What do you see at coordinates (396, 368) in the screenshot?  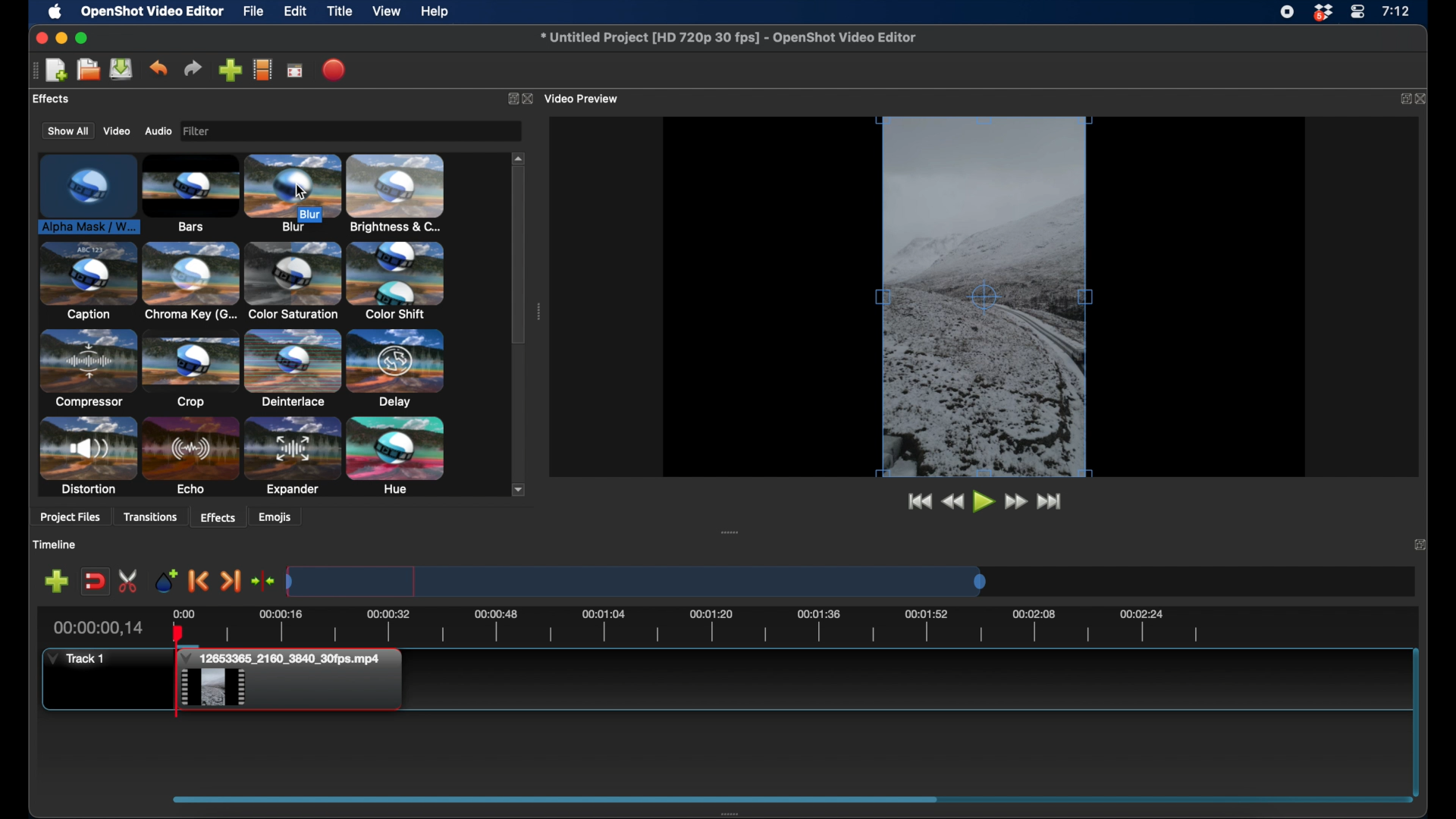 I see `delay` at bounding box center [396, 368].